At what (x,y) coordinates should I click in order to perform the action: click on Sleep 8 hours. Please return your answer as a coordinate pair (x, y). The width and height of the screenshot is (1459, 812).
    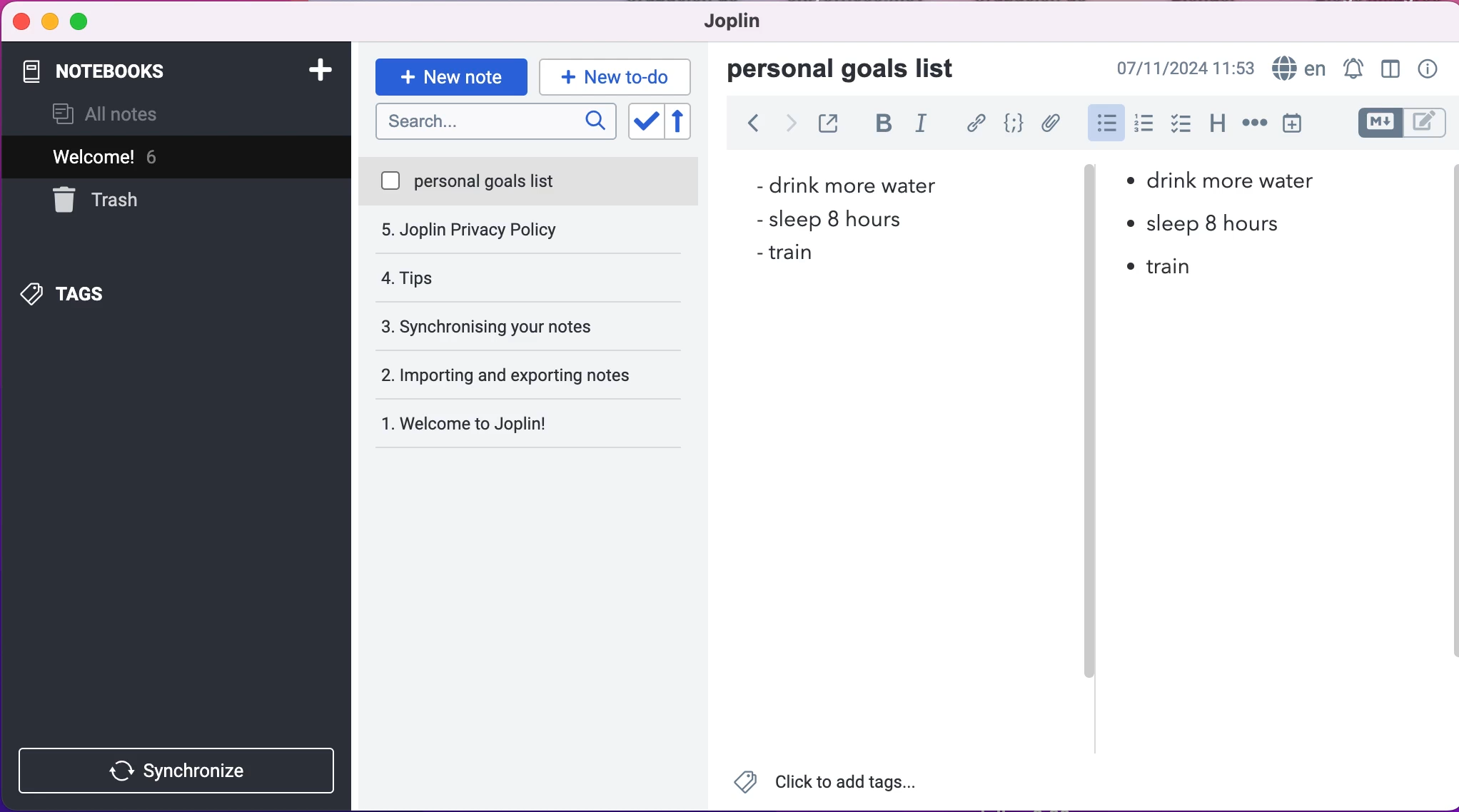
    Looking at the image, I should click on (838, 218).